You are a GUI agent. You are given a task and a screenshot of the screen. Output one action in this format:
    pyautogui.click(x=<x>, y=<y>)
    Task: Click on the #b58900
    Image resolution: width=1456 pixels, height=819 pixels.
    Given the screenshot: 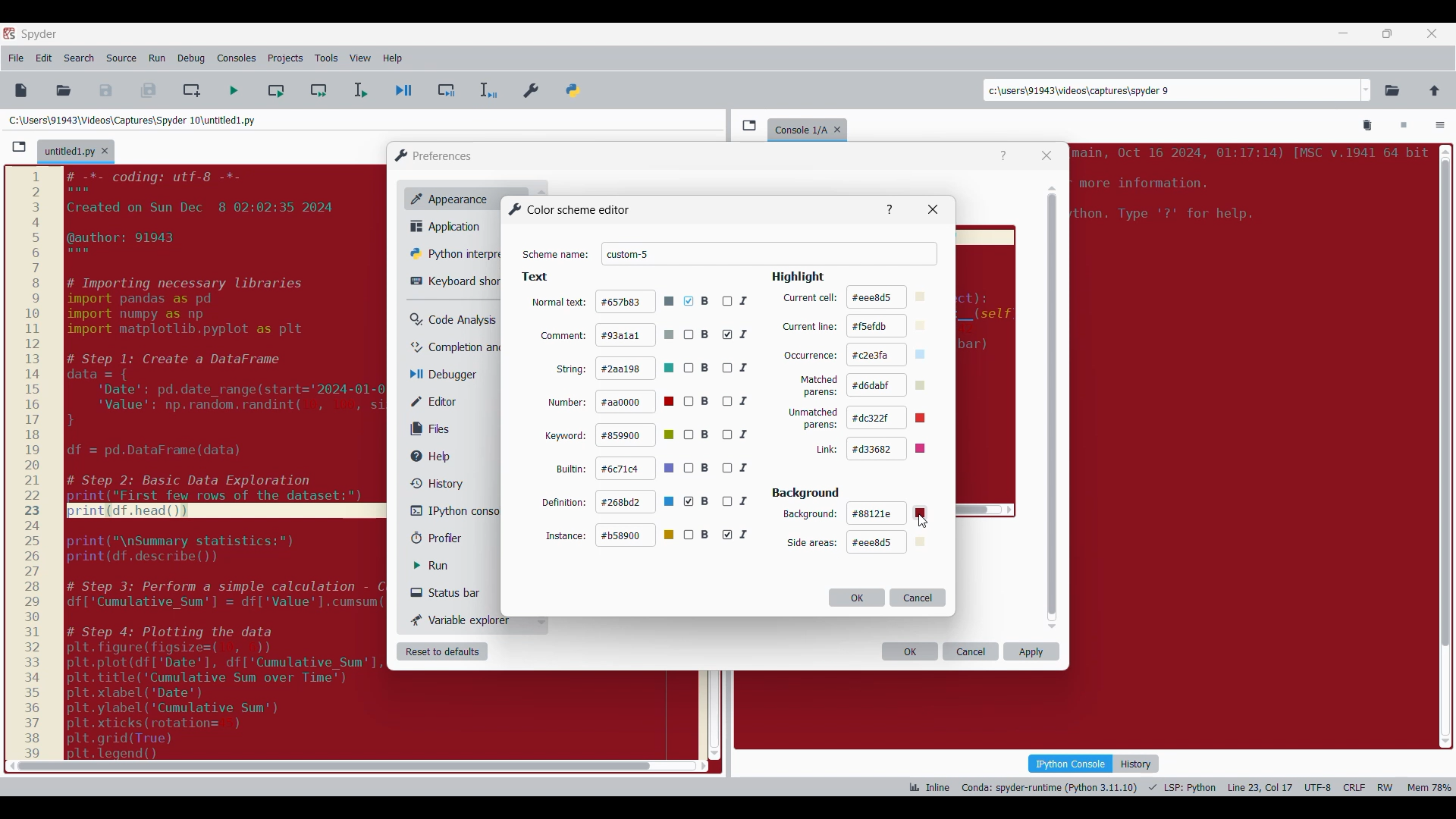 What is the action you would take?
    pyautogui.click(x=637, y=535)
    